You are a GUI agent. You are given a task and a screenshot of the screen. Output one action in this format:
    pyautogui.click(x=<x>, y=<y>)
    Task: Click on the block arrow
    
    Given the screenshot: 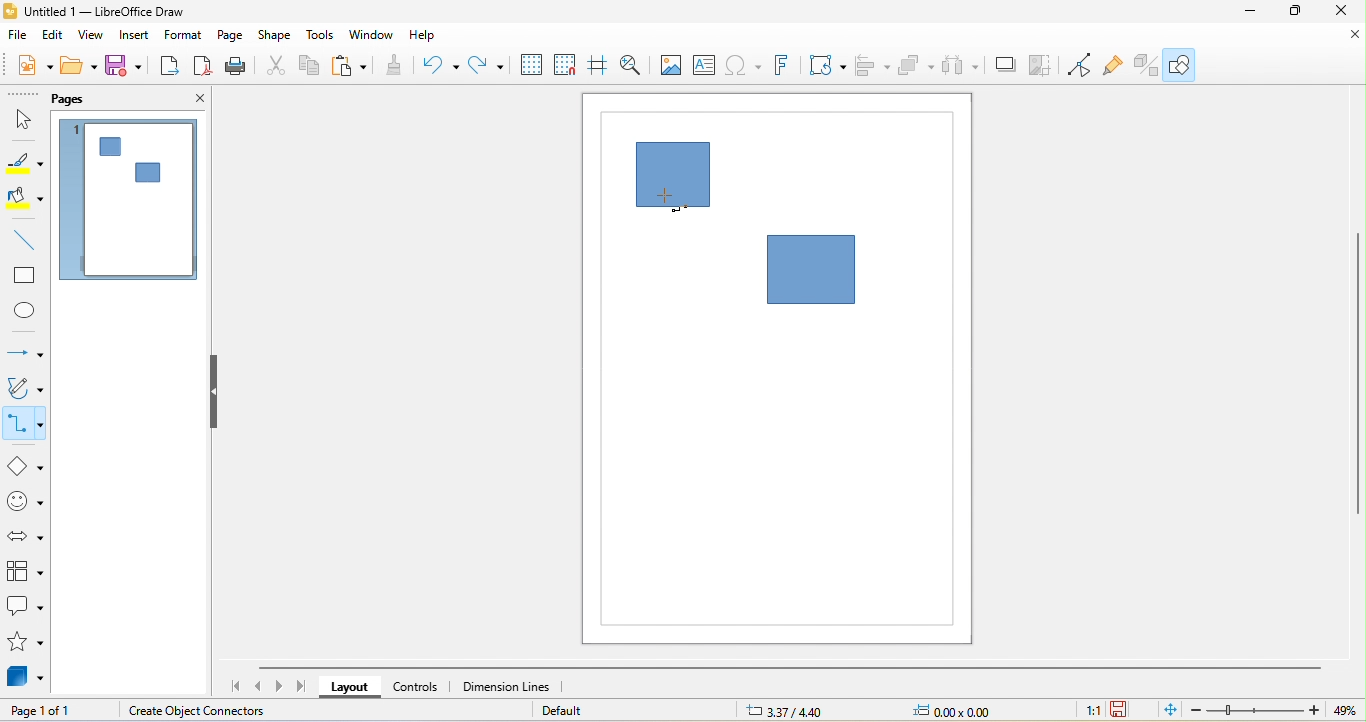 What is the action you would take?
    pyautogui.click(x=27, y=537)
    